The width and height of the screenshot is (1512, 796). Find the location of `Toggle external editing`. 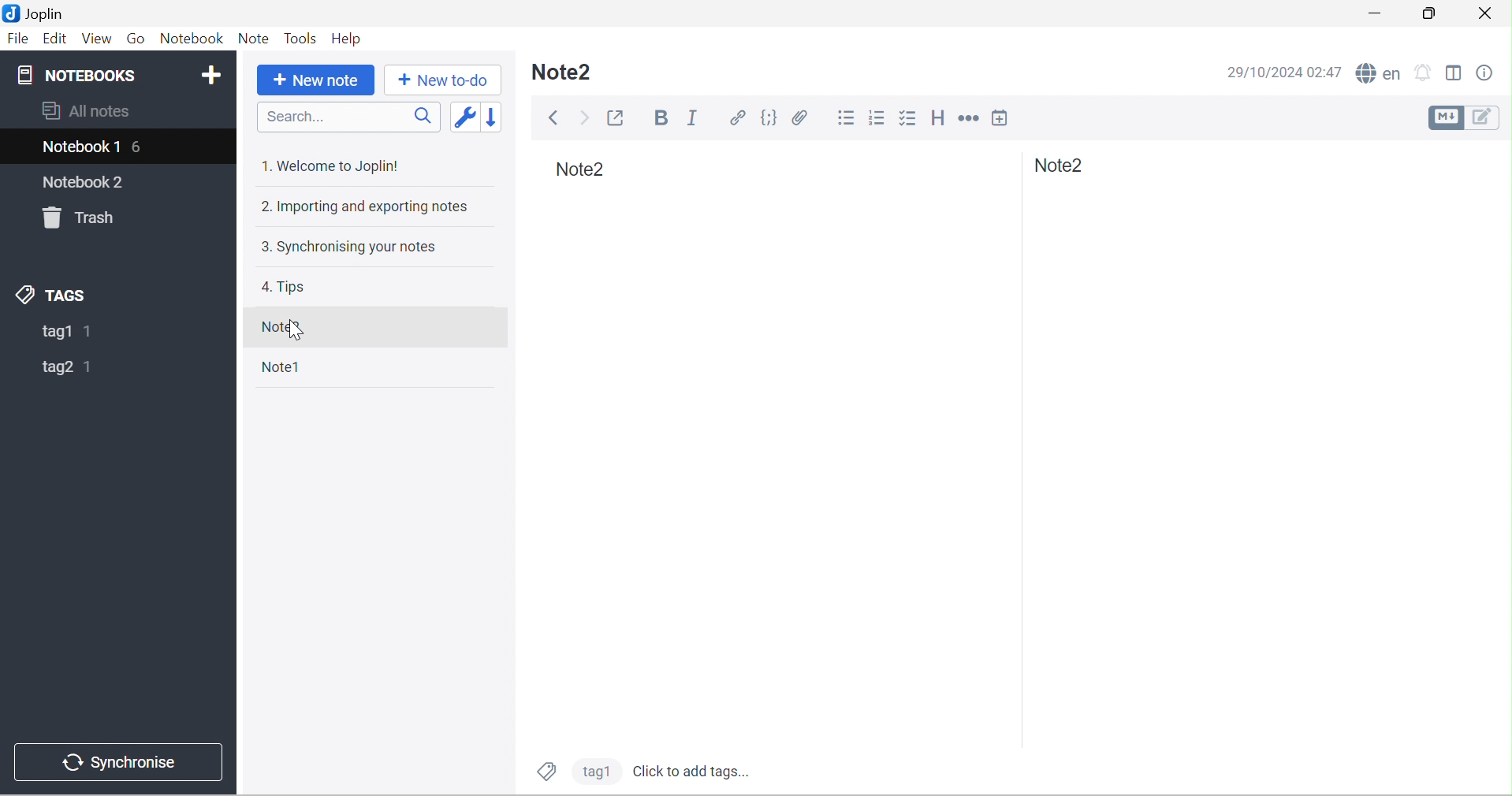

Toggle external editing is located at coordinates (616, 117).